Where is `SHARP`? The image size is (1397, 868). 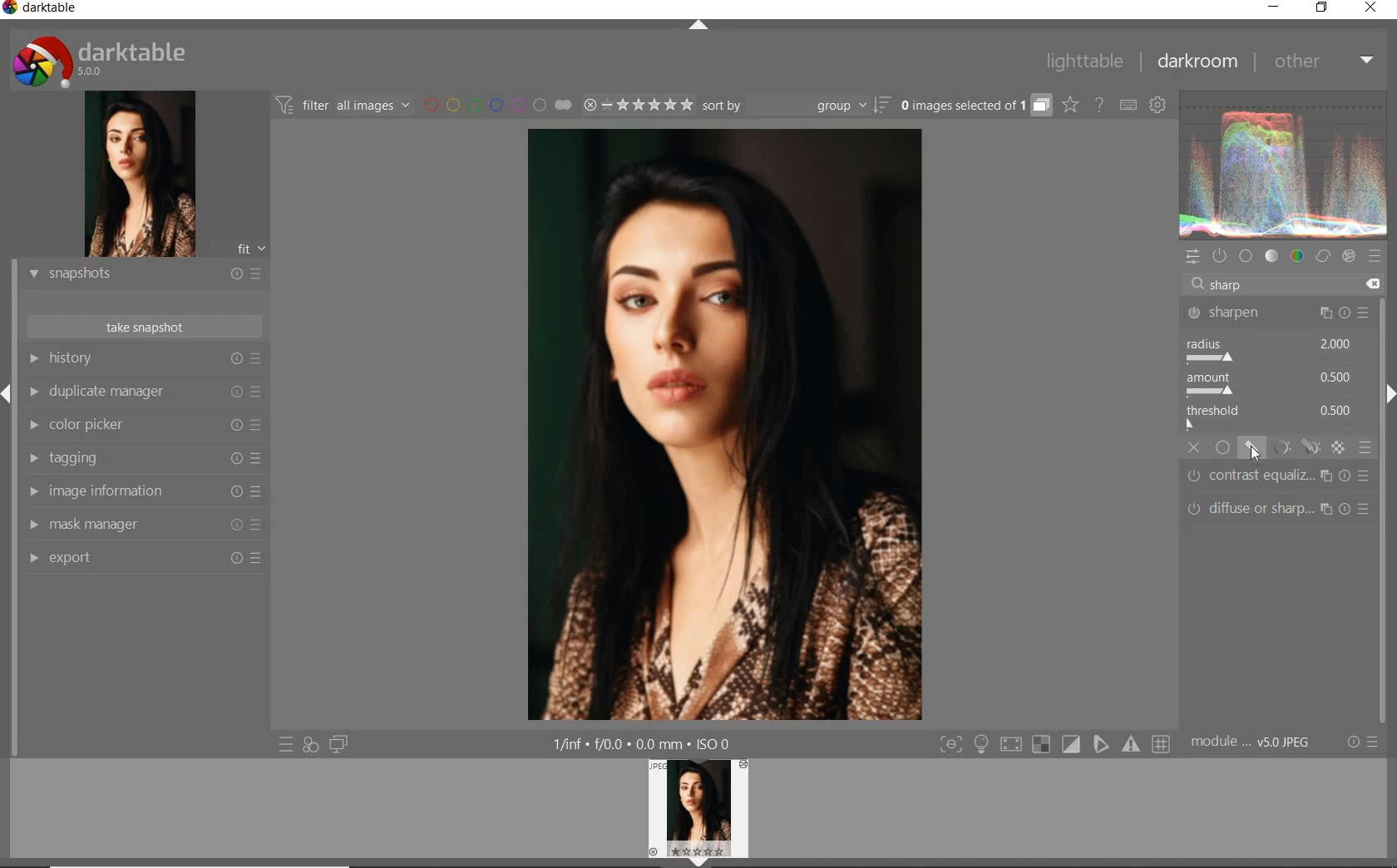
SHARP is located at coordinates (1232, 284).